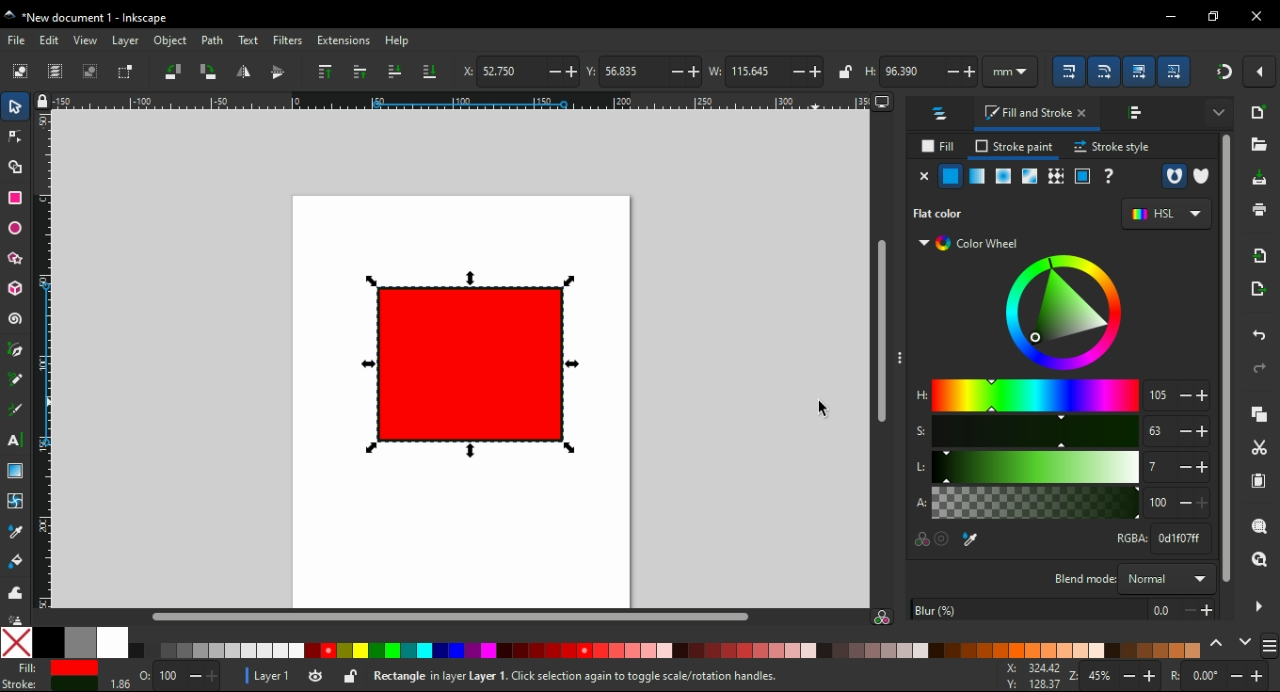 The height and width of the screenshot is (692, 1280). Describe the element at coordinates (1161, 504) in the screenshot. I see `100` at that location.